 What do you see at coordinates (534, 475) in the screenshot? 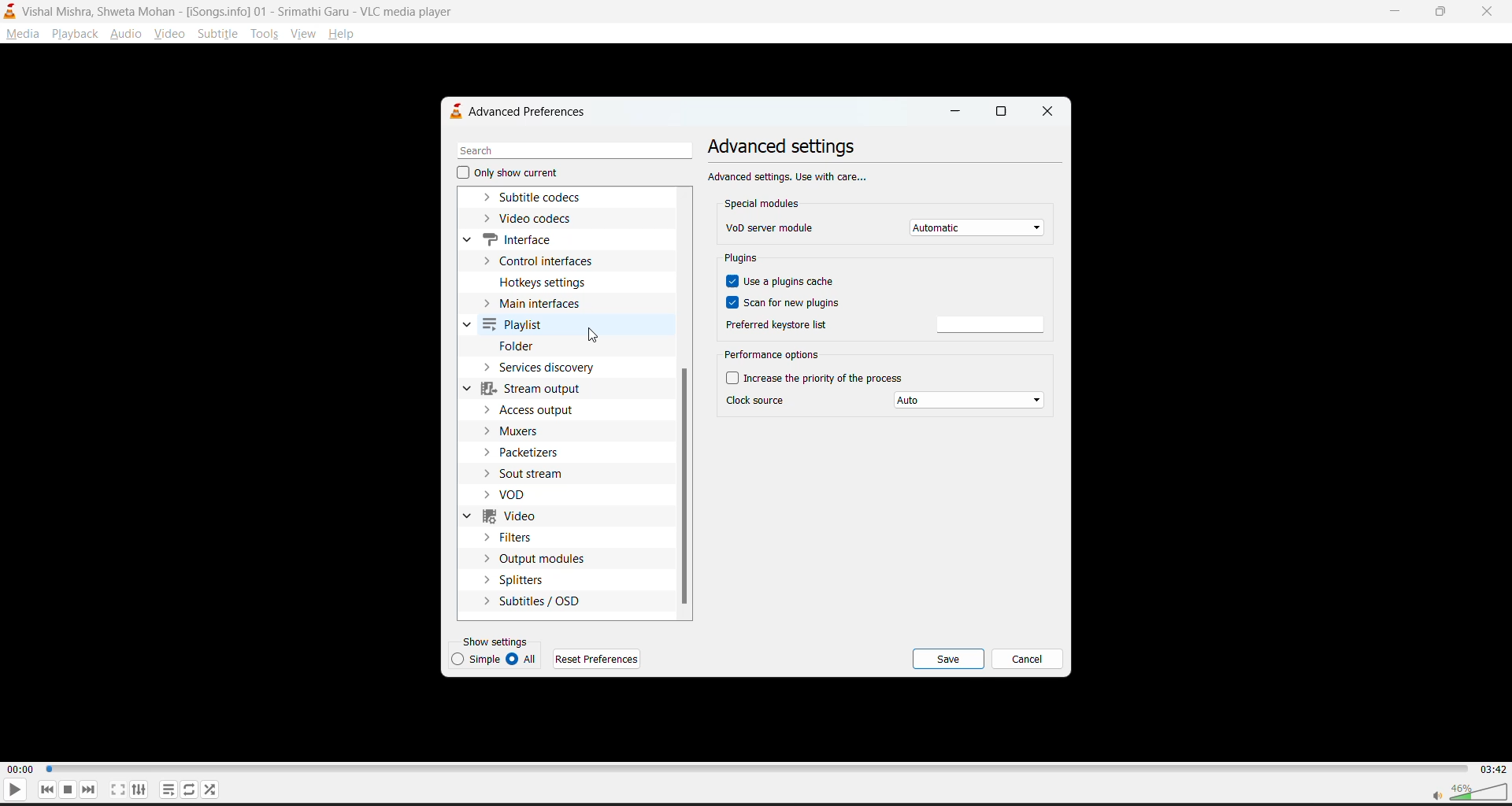
I see `sout stream` at bounding box center [534, 475].